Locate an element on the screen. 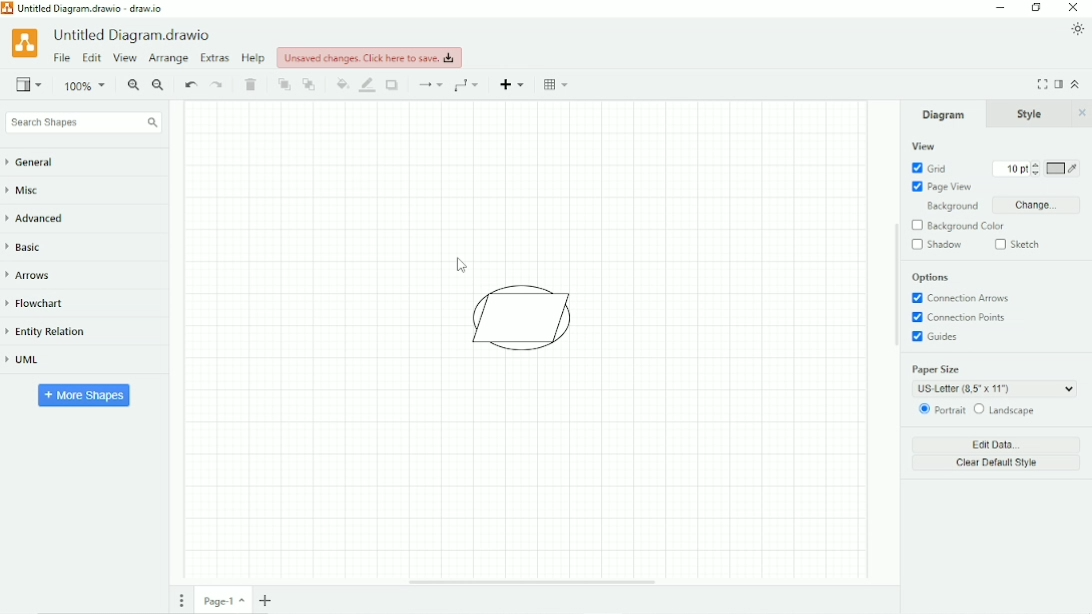 The image size is (1092, 614). Line color is located at coordinates (368, 85).